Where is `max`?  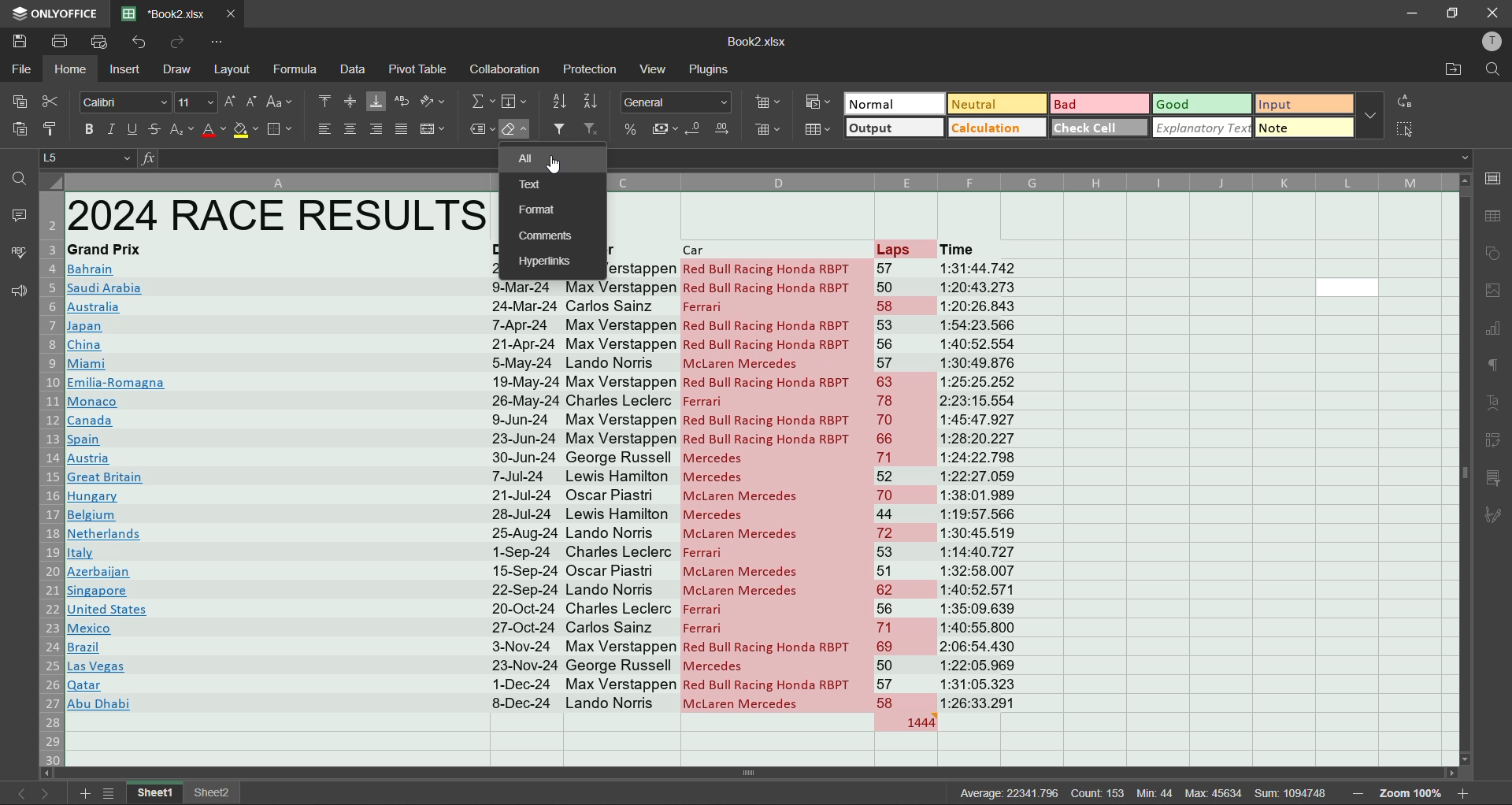
max is located at coordinates (1212, 792).